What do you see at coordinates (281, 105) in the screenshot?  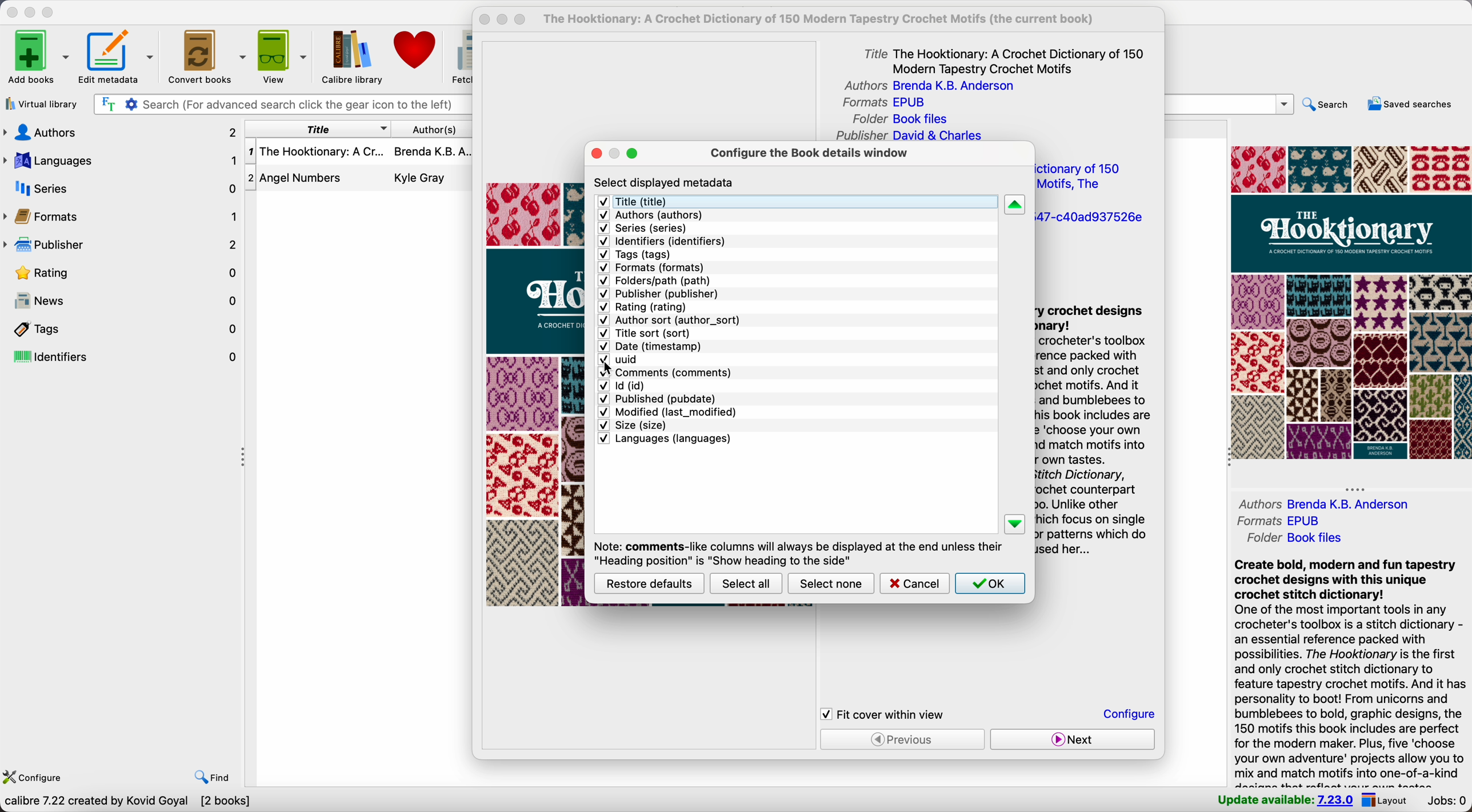 I see `search bar` at bounding box center [281, 105].